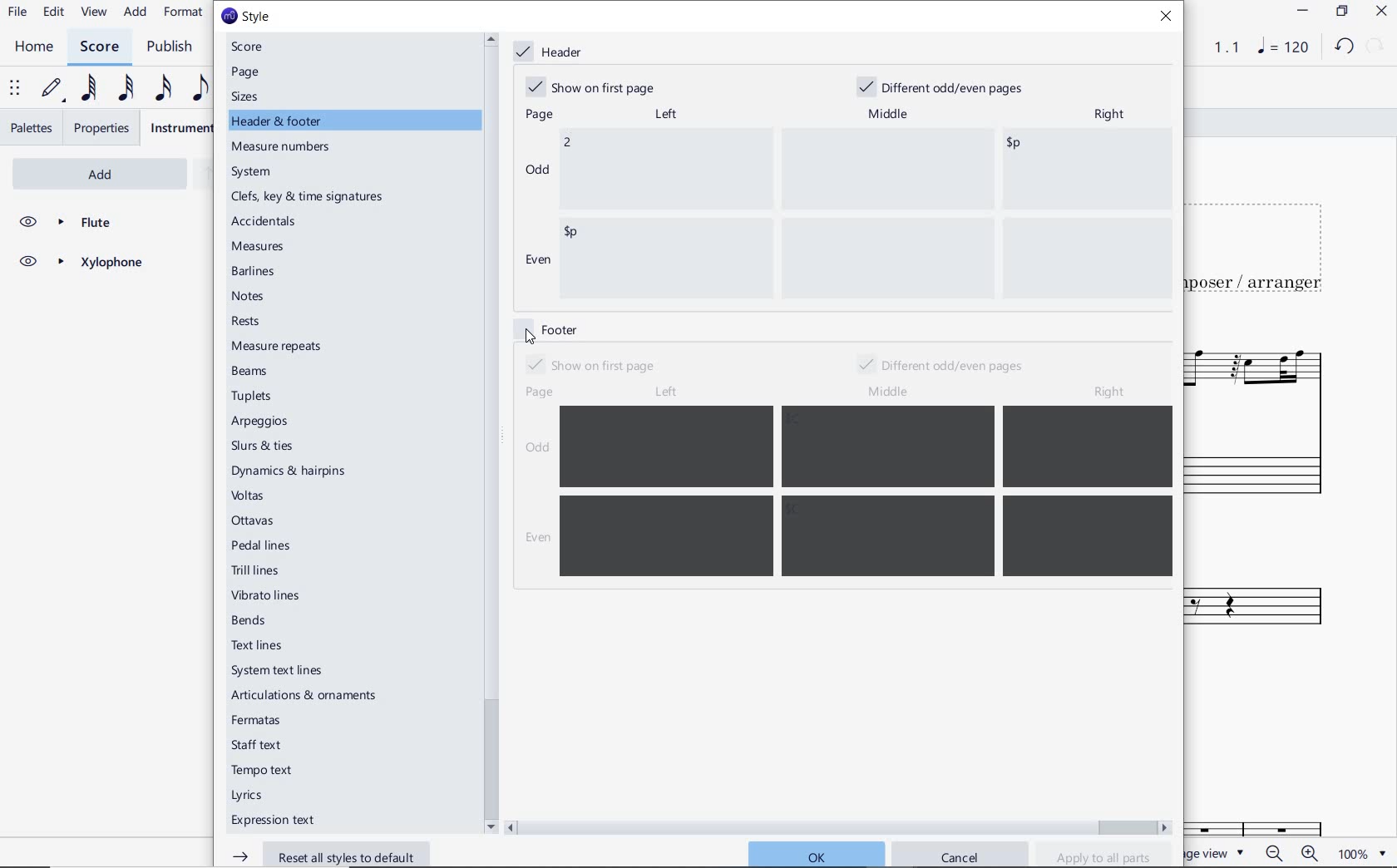  I want to click on ADD, so click(136, 12).